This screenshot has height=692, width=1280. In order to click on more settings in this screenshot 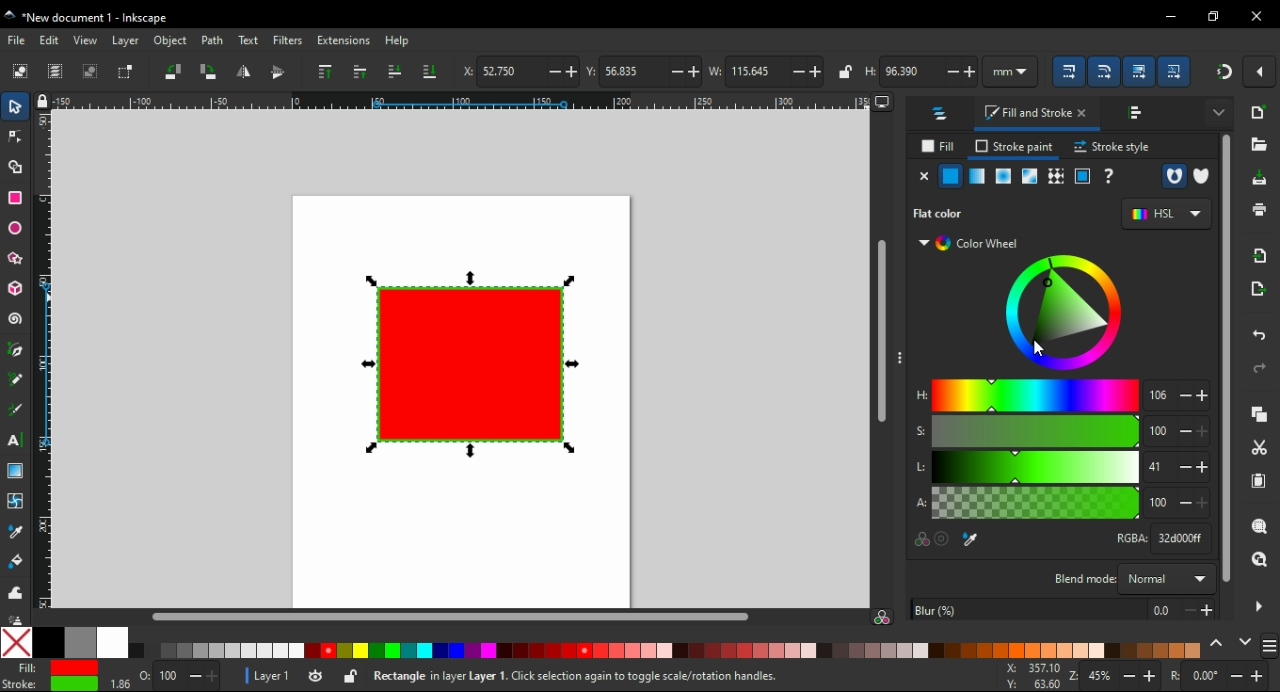, I will do `click(1219, 110)`.